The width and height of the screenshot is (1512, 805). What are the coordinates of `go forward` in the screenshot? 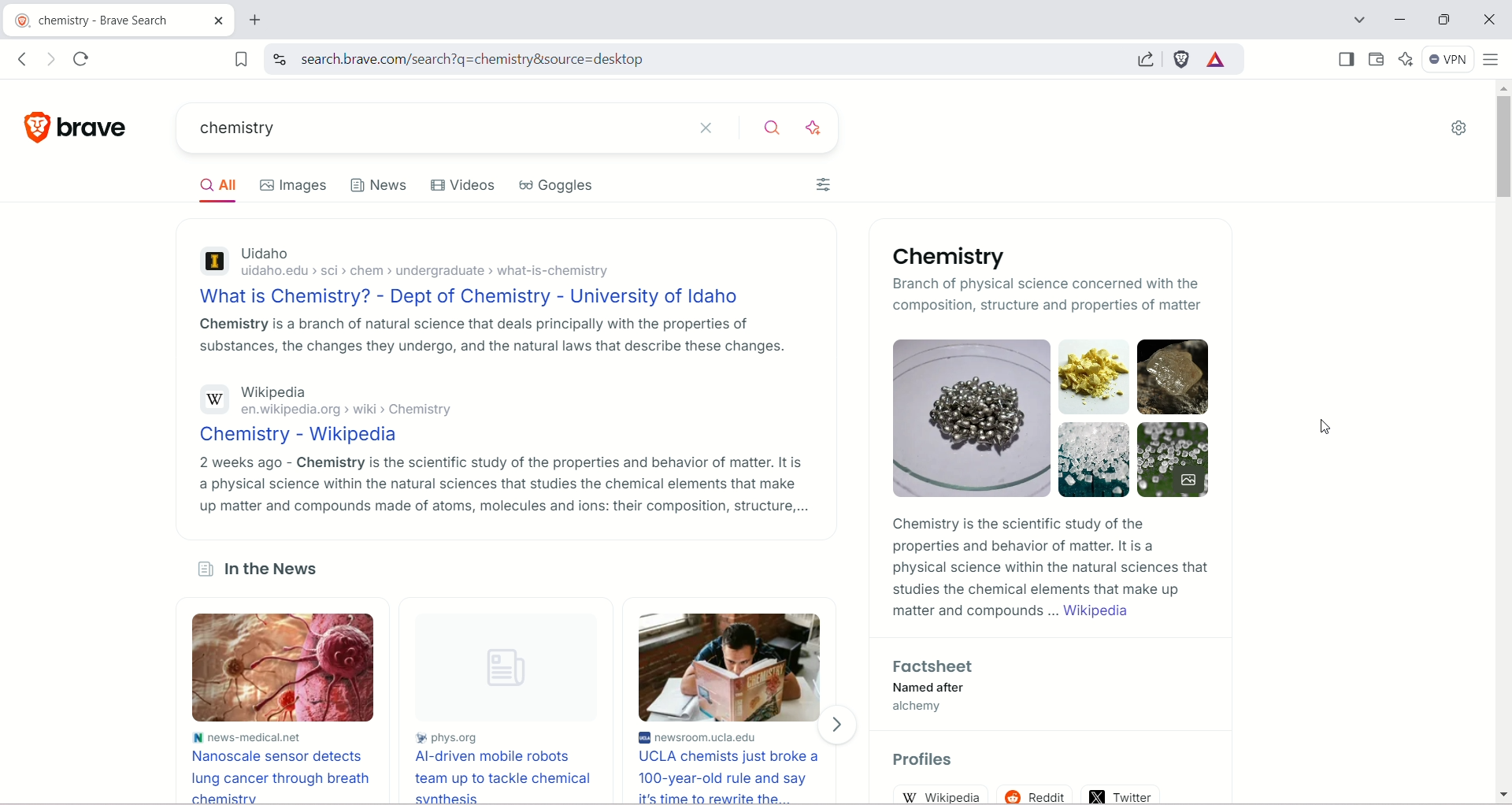 It's located at (54, 60).